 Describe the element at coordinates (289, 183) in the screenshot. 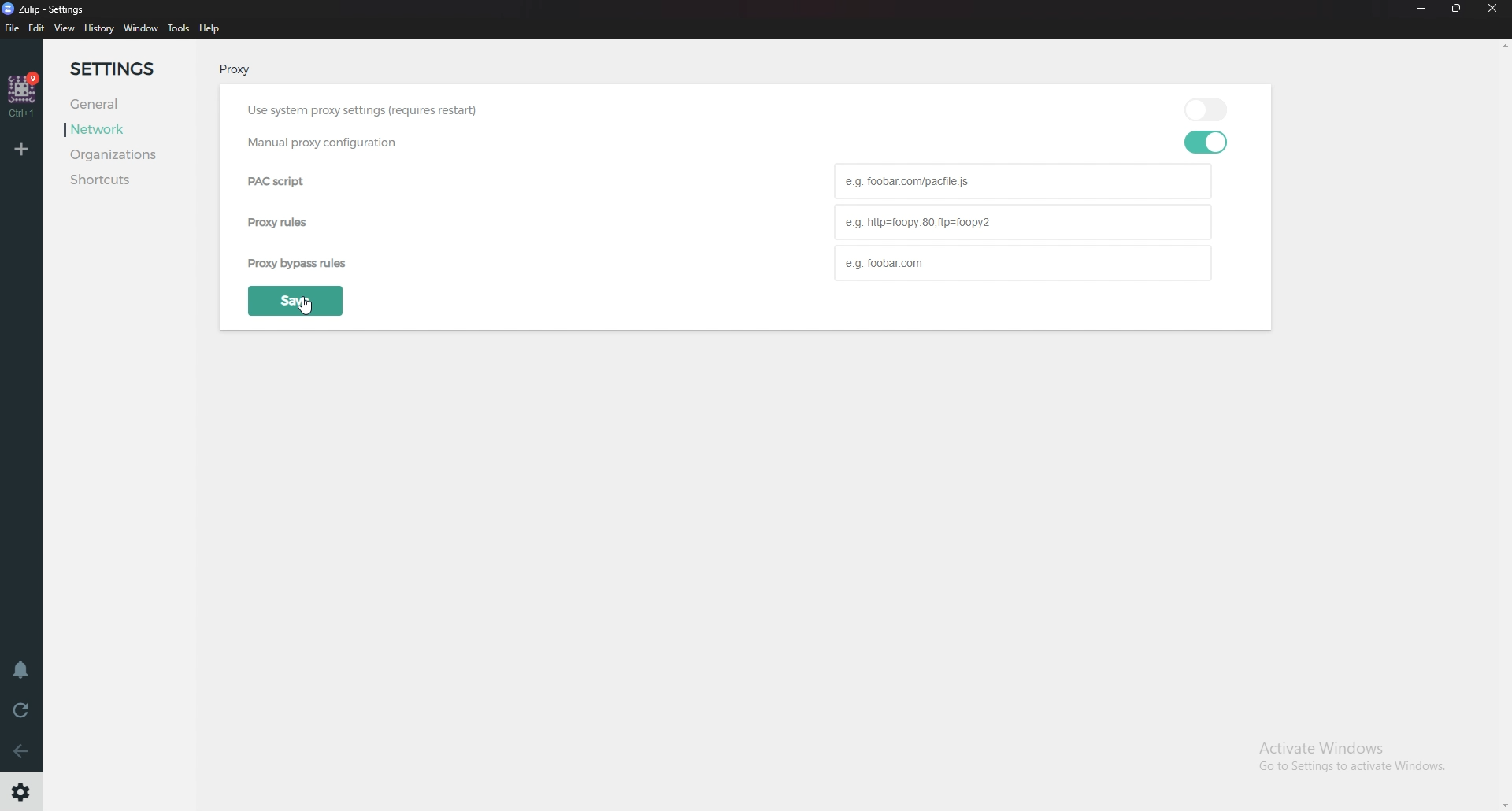

I see `pac script` at that location.